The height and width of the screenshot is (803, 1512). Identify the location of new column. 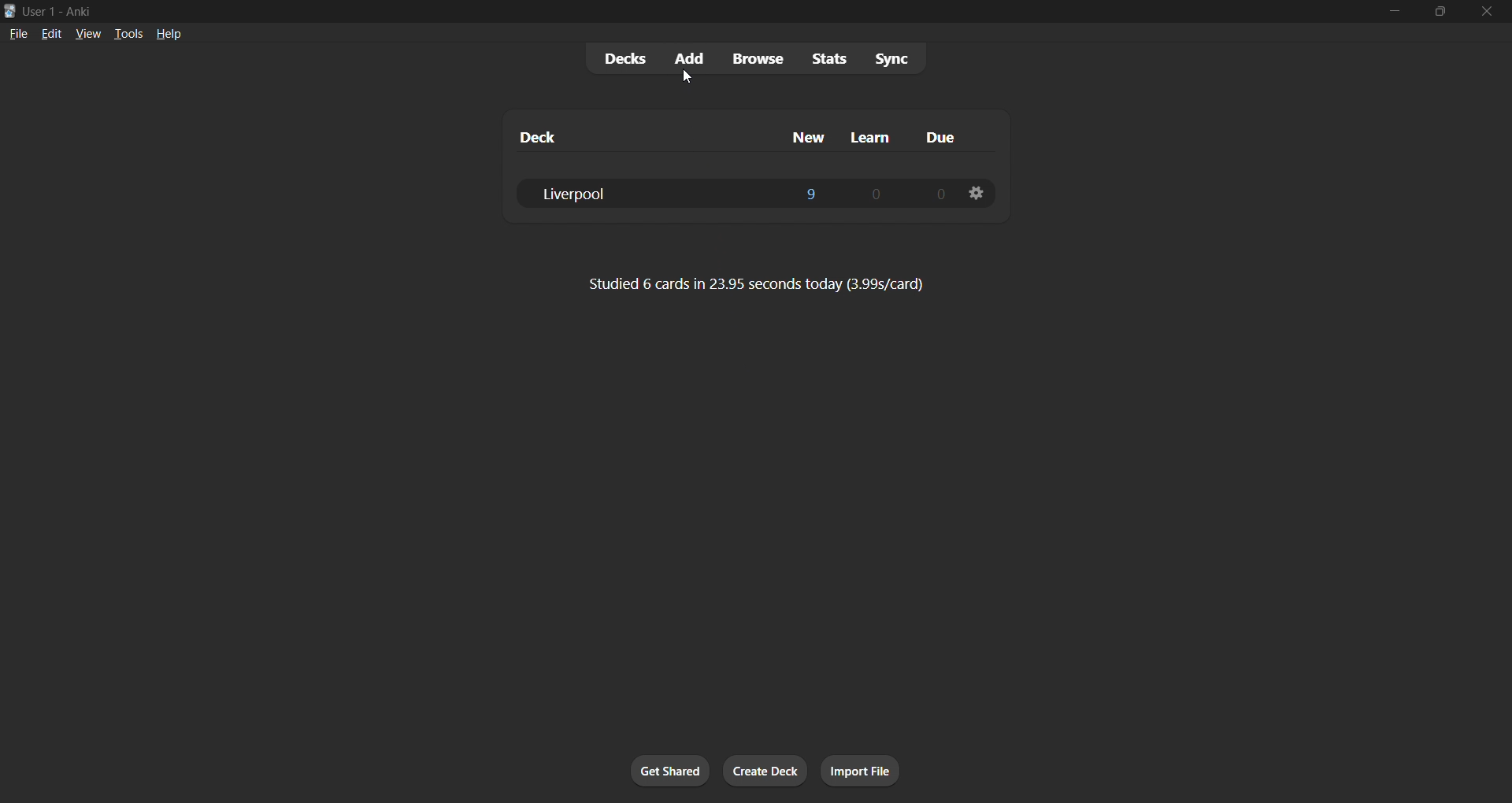
(808, 137).